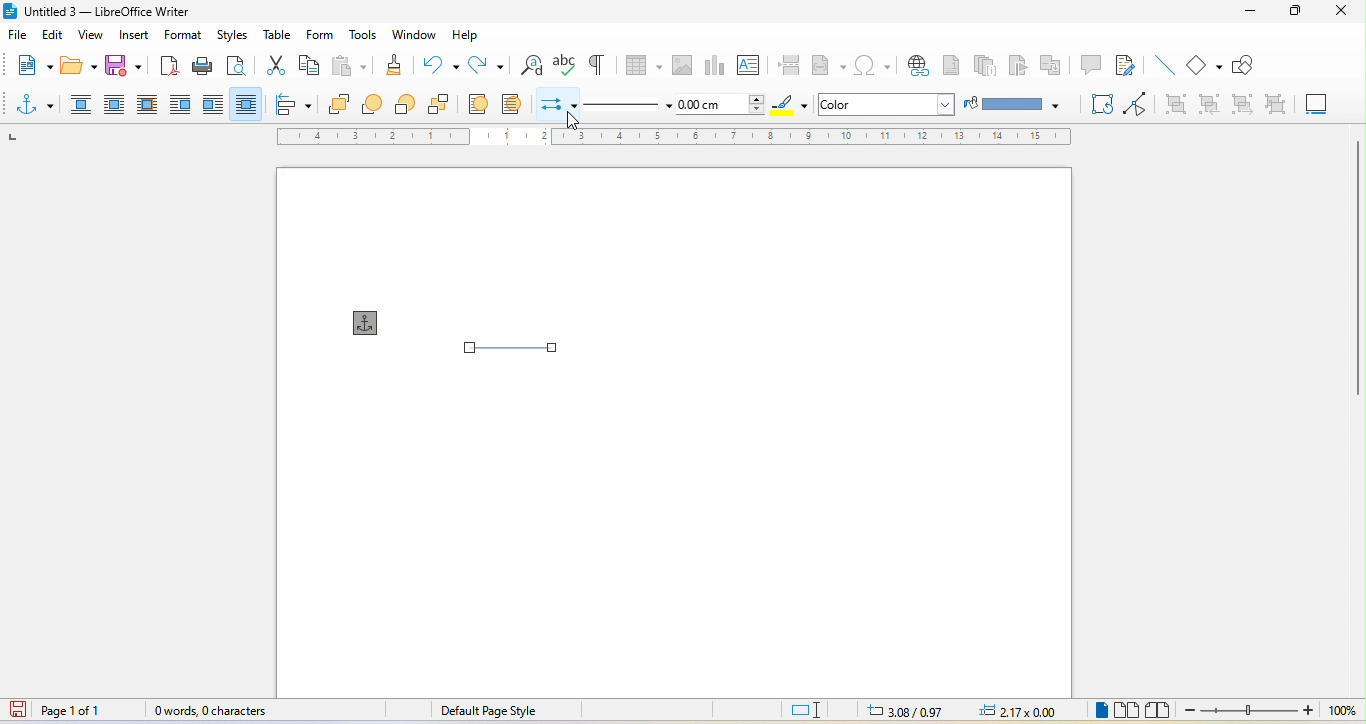  Describe the element at coordinates (377, 105) in the screenshot. I see `forward one` at that location.